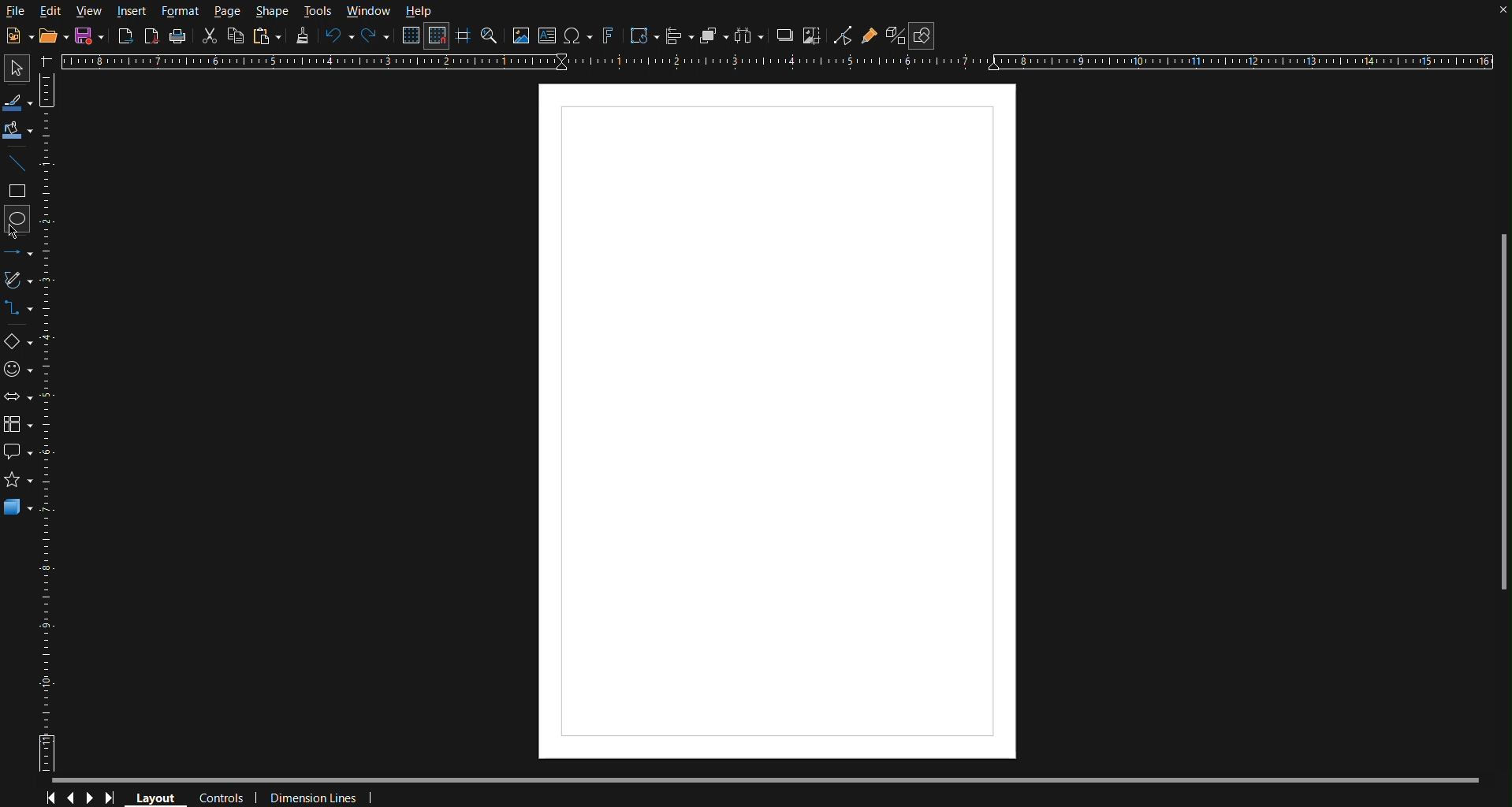 This screenshot has height=807, width=1512. What do you see at coordinates (784, 62) in the screenshot?
I see `Horizontal Ruler` at bounding box center [784, 62].